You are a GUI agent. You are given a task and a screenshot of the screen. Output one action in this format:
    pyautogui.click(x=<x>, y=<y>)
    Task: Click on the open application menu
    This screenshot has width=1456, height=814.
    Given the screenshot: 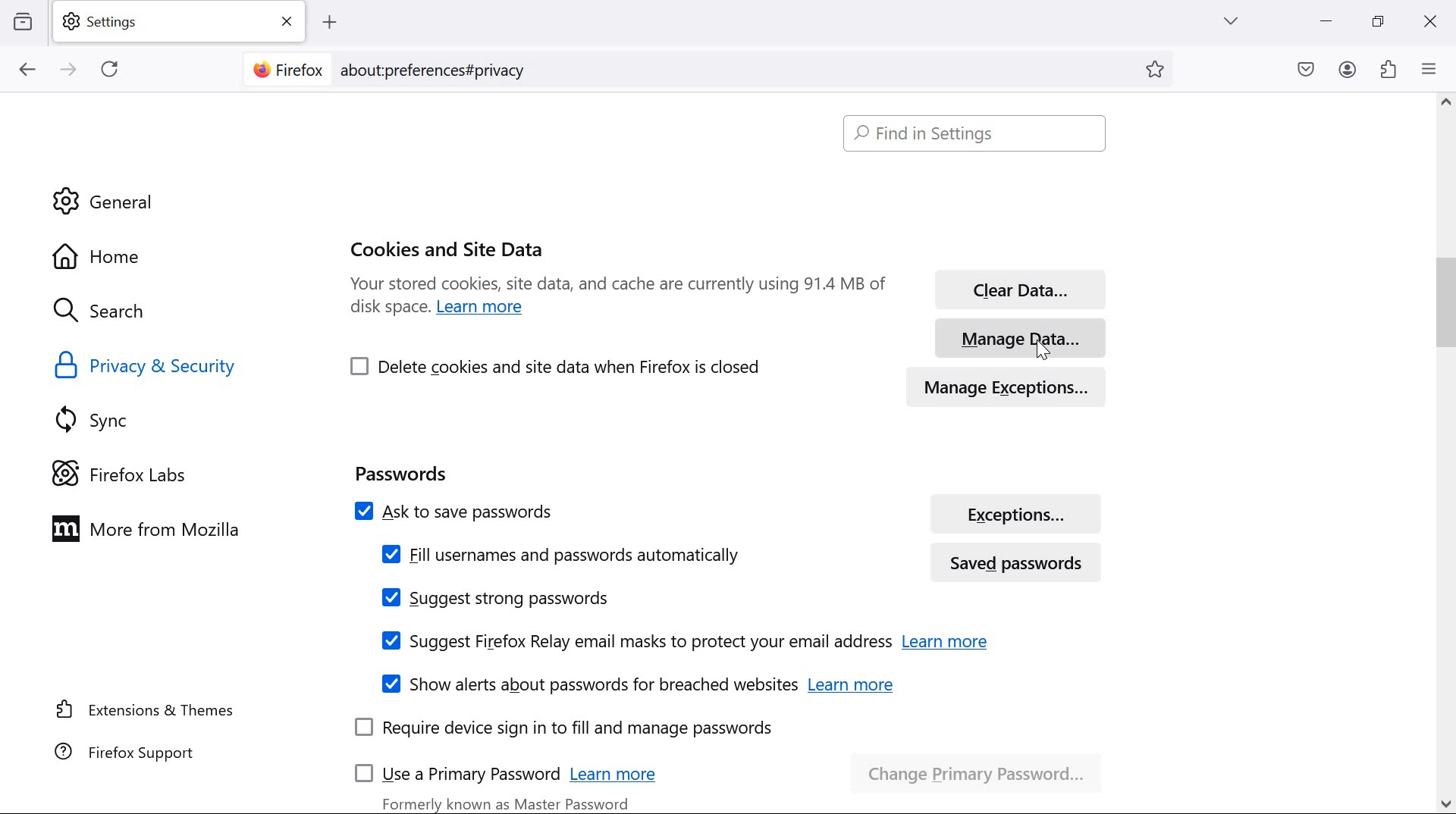 What is the action you would take?
    pyautogui.click(x=1432, y=68)
    